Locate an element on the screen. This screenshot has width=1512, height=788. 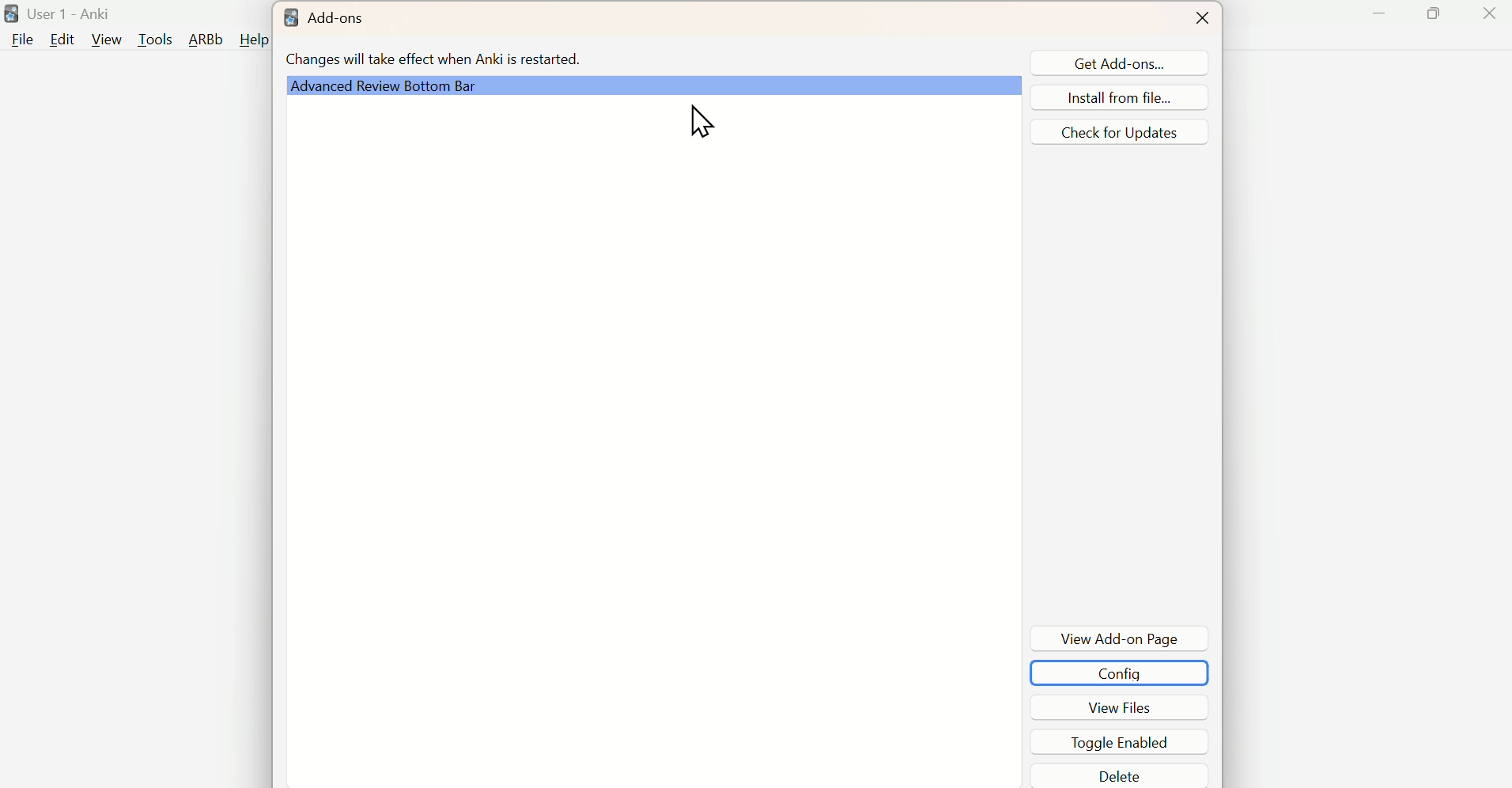
Delete is located at coordinates (1120, 777).